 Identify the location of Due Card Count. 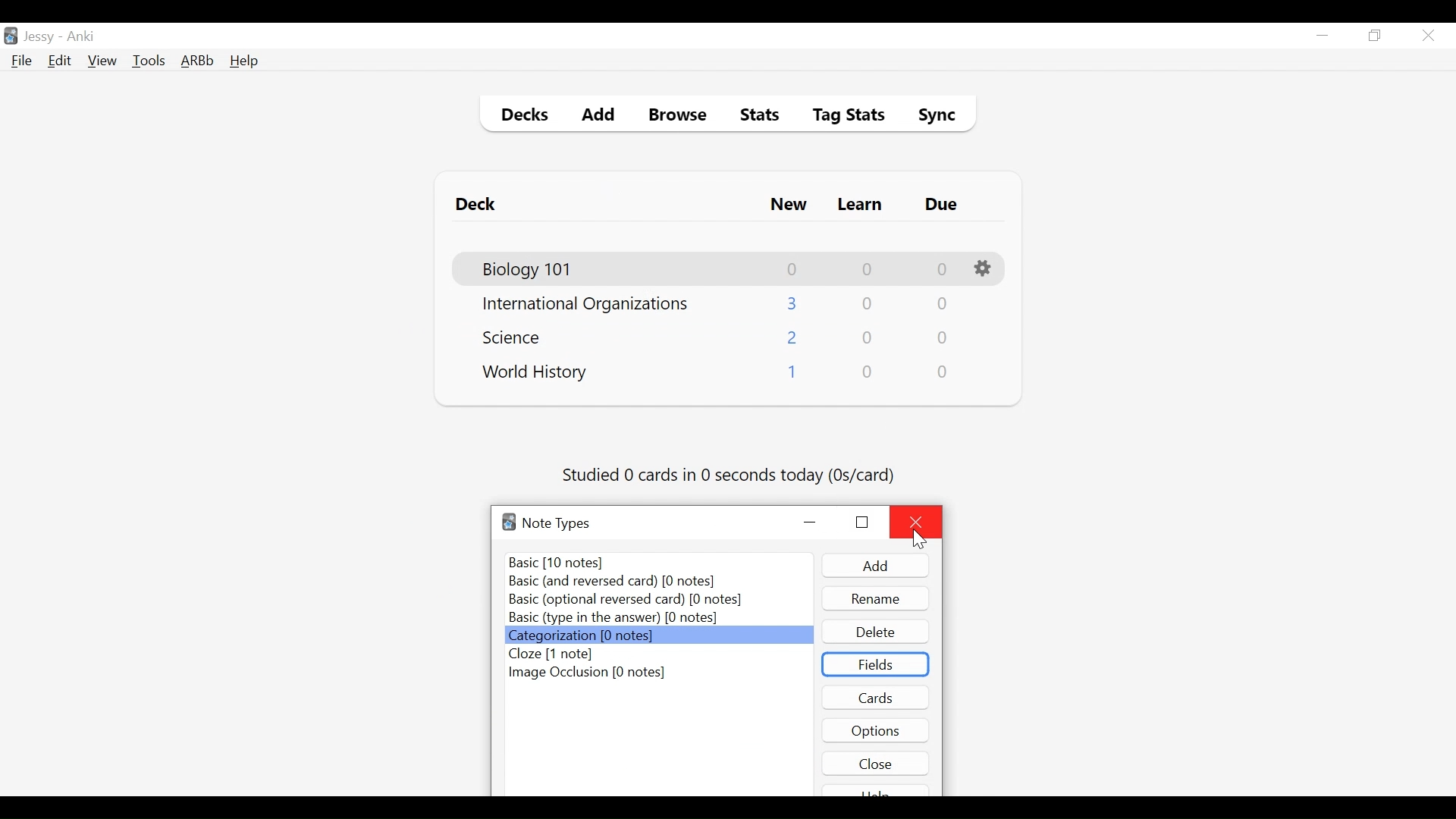
(943, 270).